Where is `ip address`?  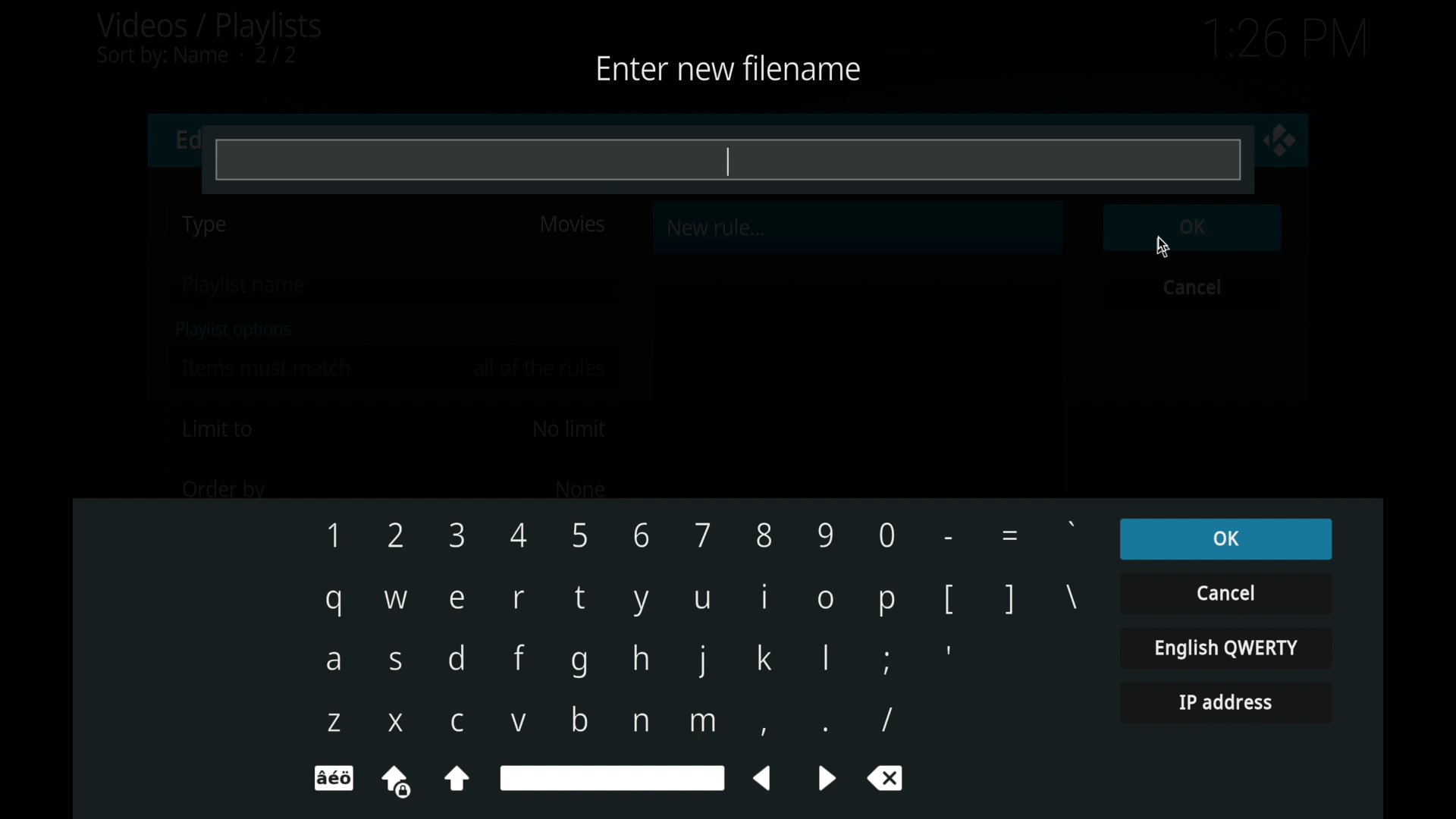
ip address is located at coordinates (1225, 703).